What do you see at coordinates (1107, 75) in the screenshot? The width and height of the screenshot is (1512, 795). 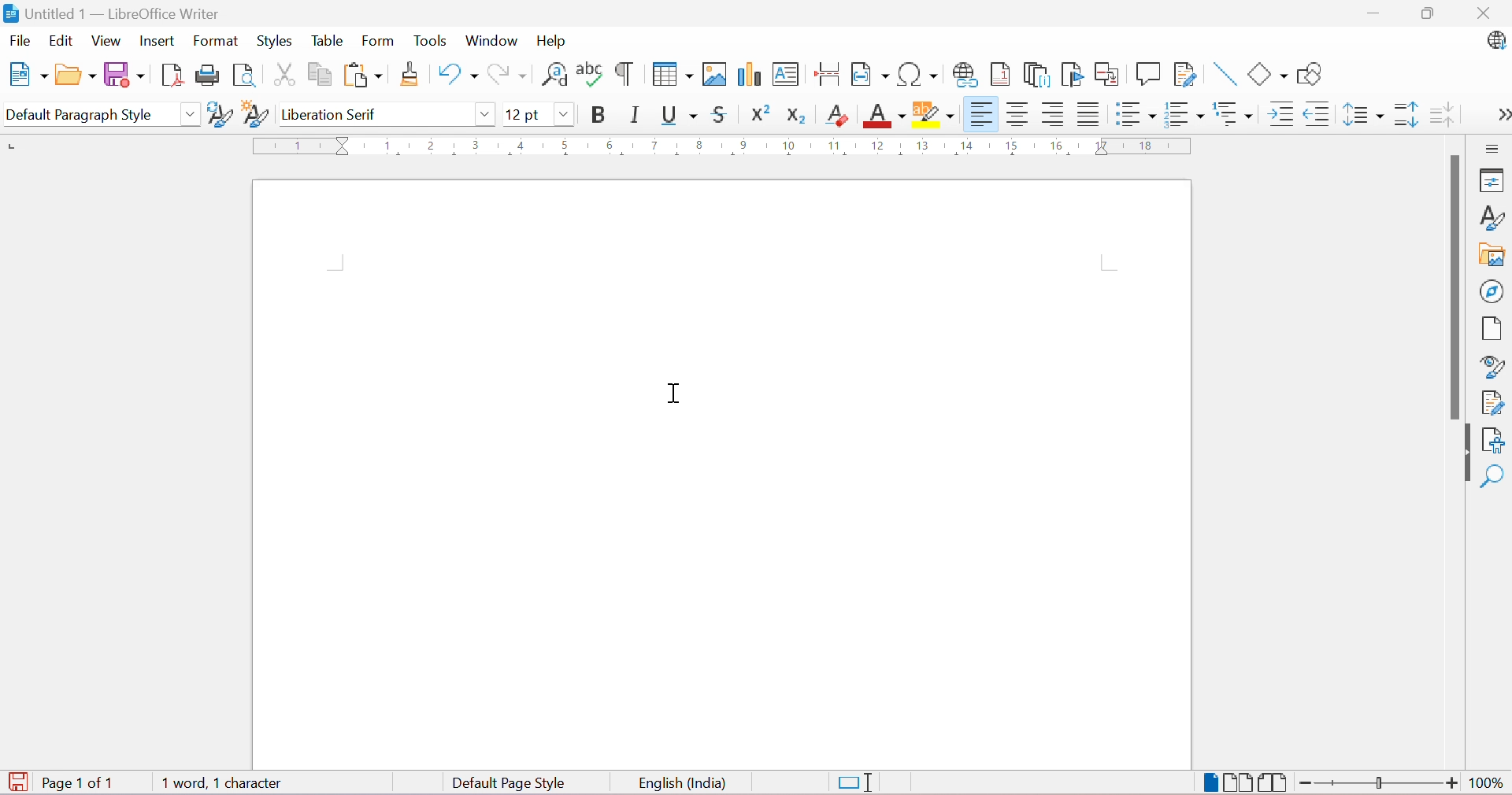 I see `Insert Cross-reference` at bounding box center [1107, 75].